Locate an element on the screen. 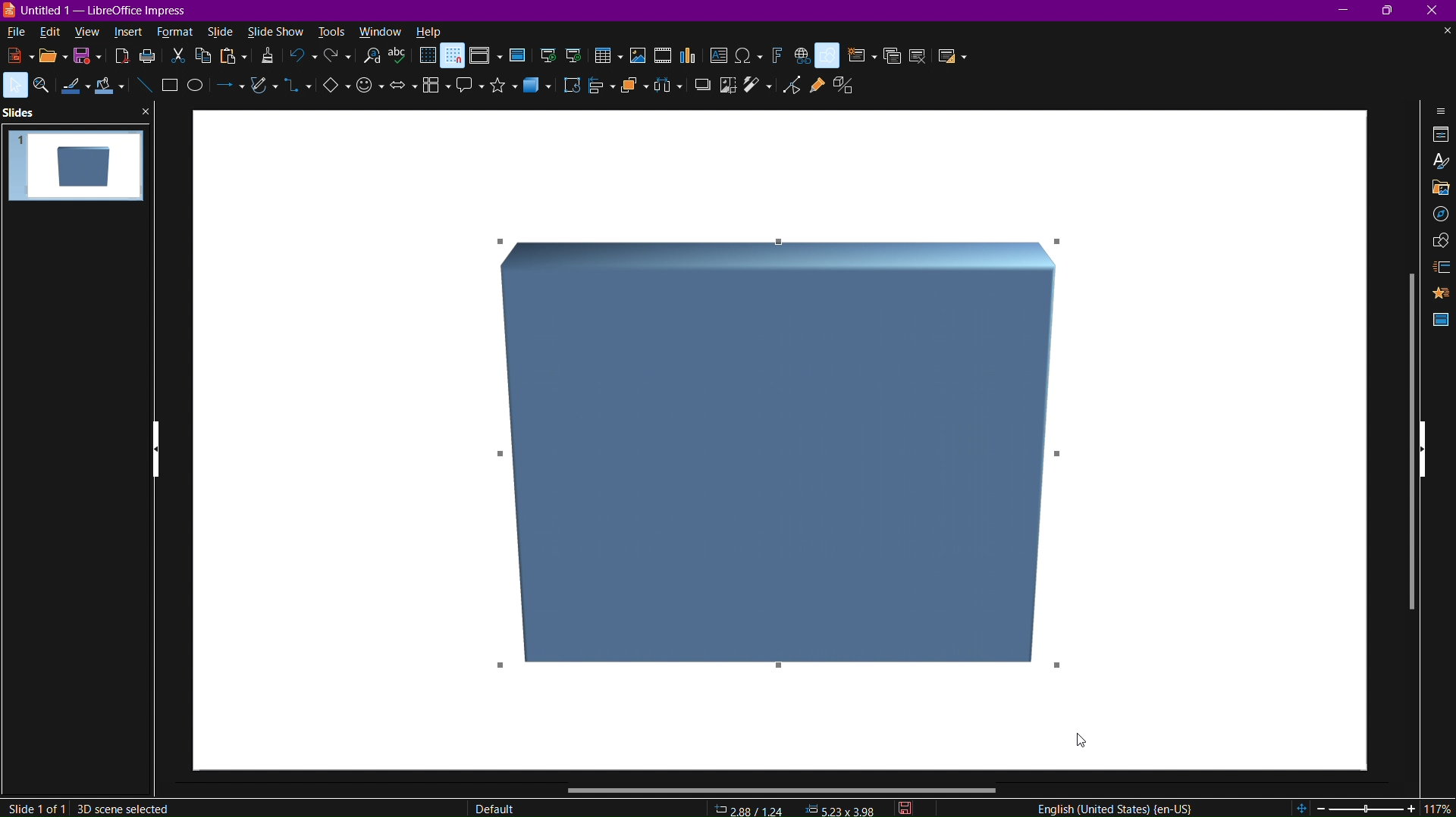 The width and height of the screenshot is (1456, 817). Slide 1 of 1 is located at coordinates (36, 808).